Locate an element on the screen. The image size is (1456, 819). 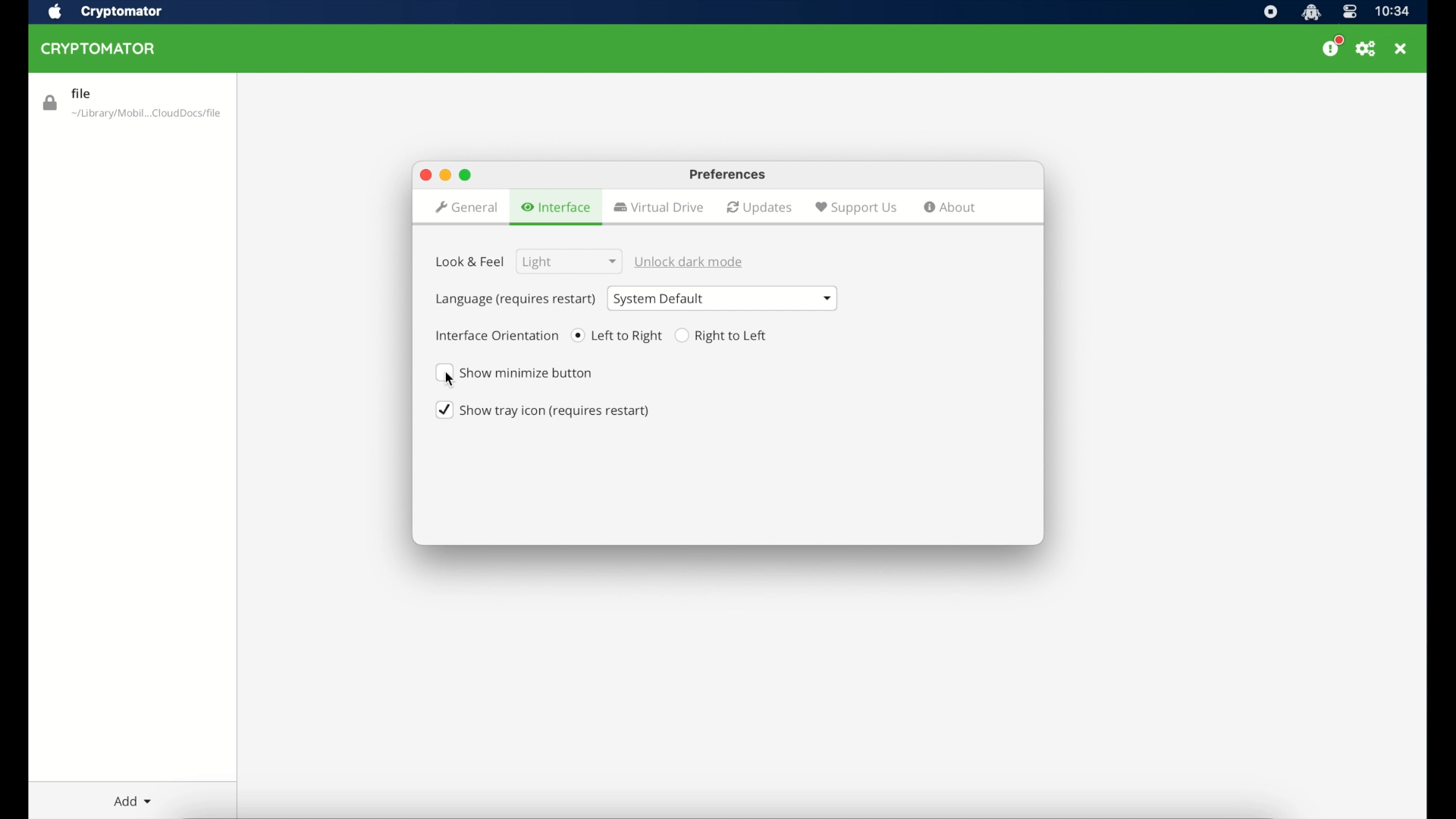
updates is located at coordinates (760, 208).